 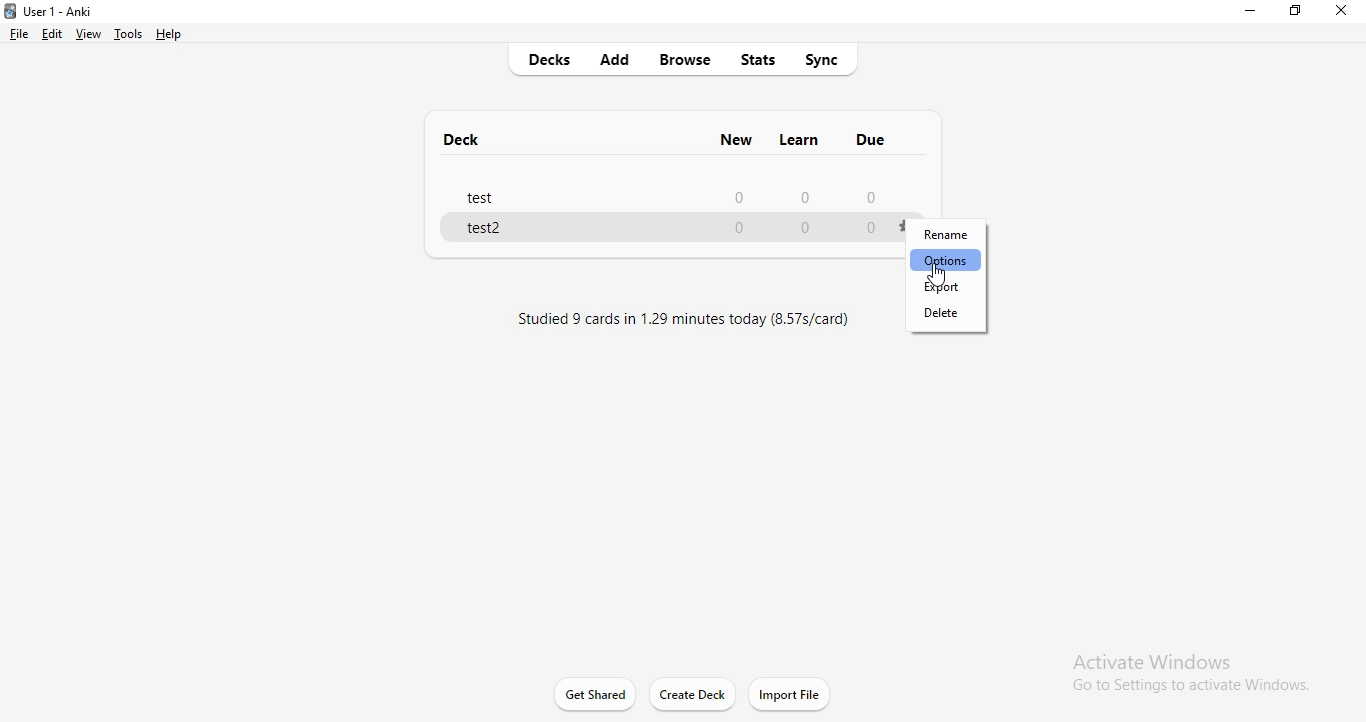 What do you see at coordinates (871, 141) in the screenshot?
I see `due` at bounding box center [871, 141].